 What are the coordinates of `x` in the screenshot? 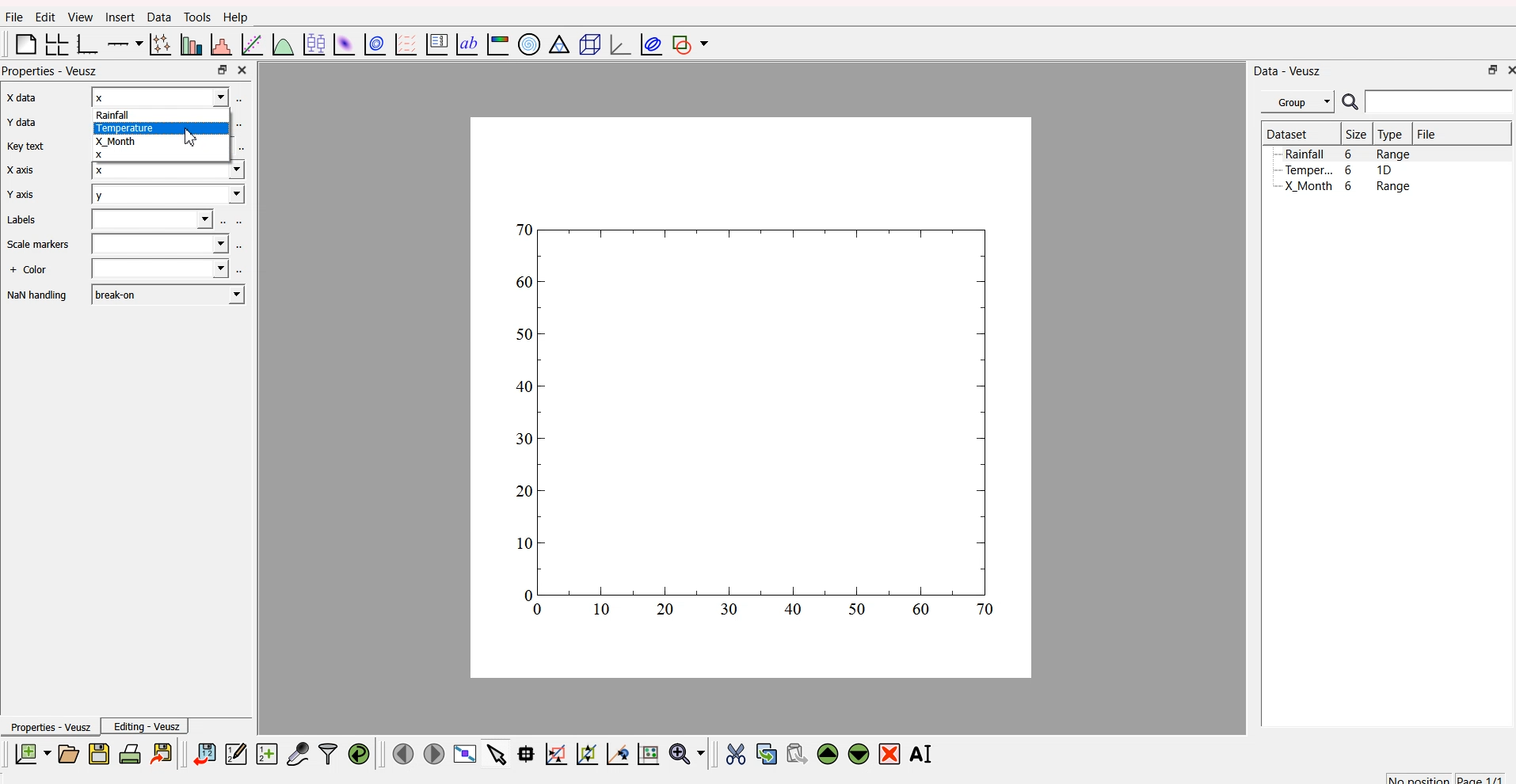 It's located at (168, 173).